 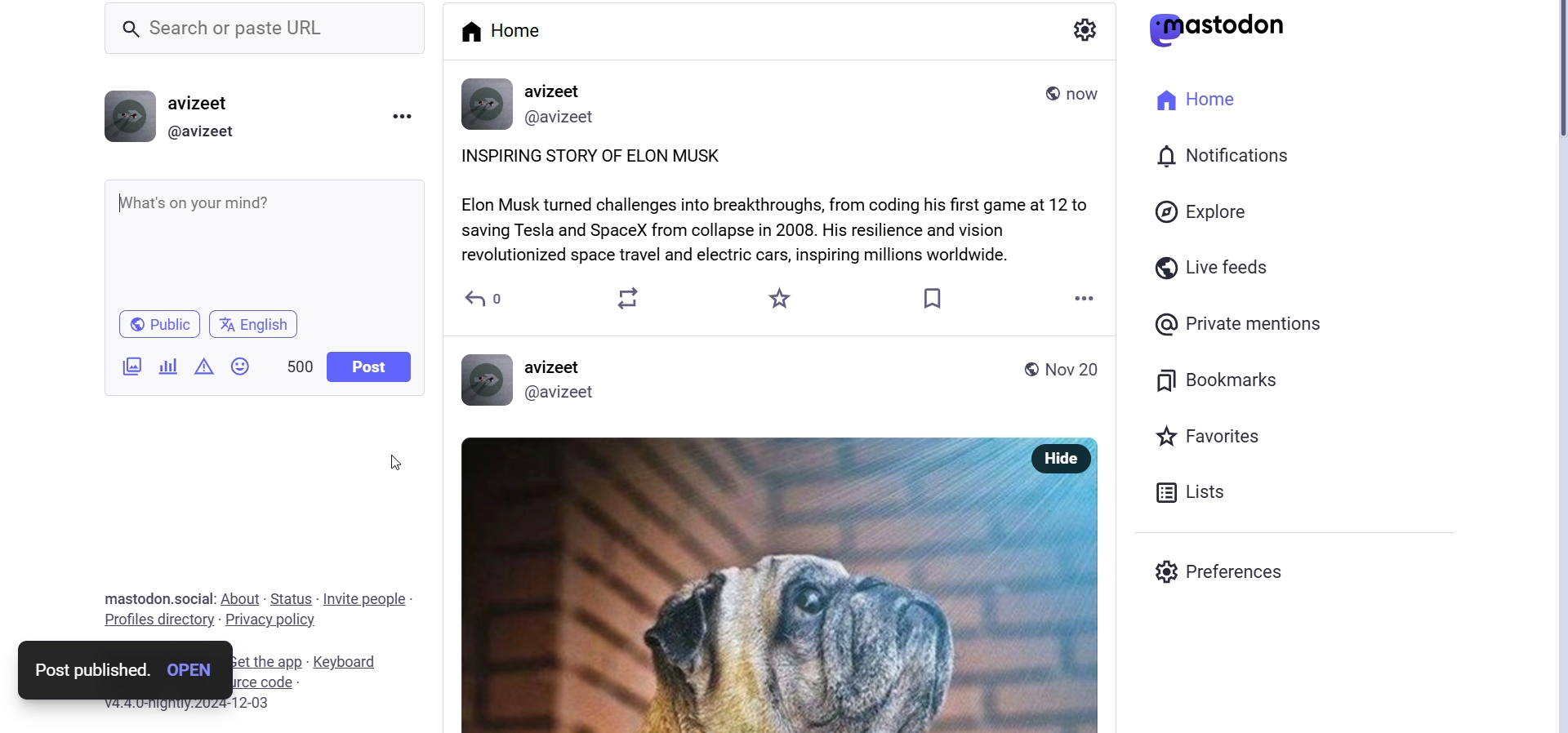 What do you see at coordinates (199, 670) in the screenshot?
I see `Open` at bounding box center [199, 670].